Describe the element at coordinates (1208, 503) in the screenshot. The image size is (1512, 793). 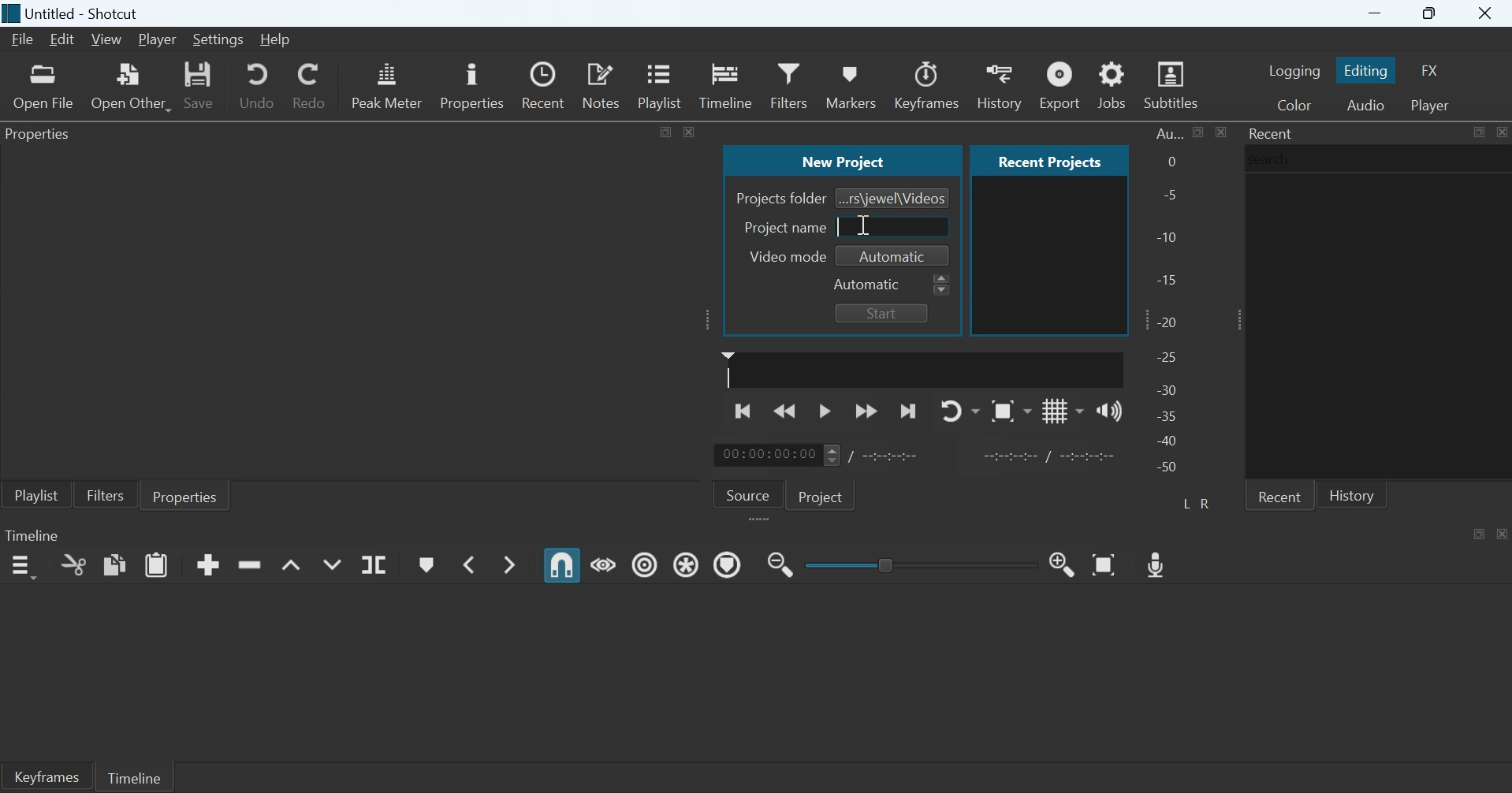
I see `Right` at that location.